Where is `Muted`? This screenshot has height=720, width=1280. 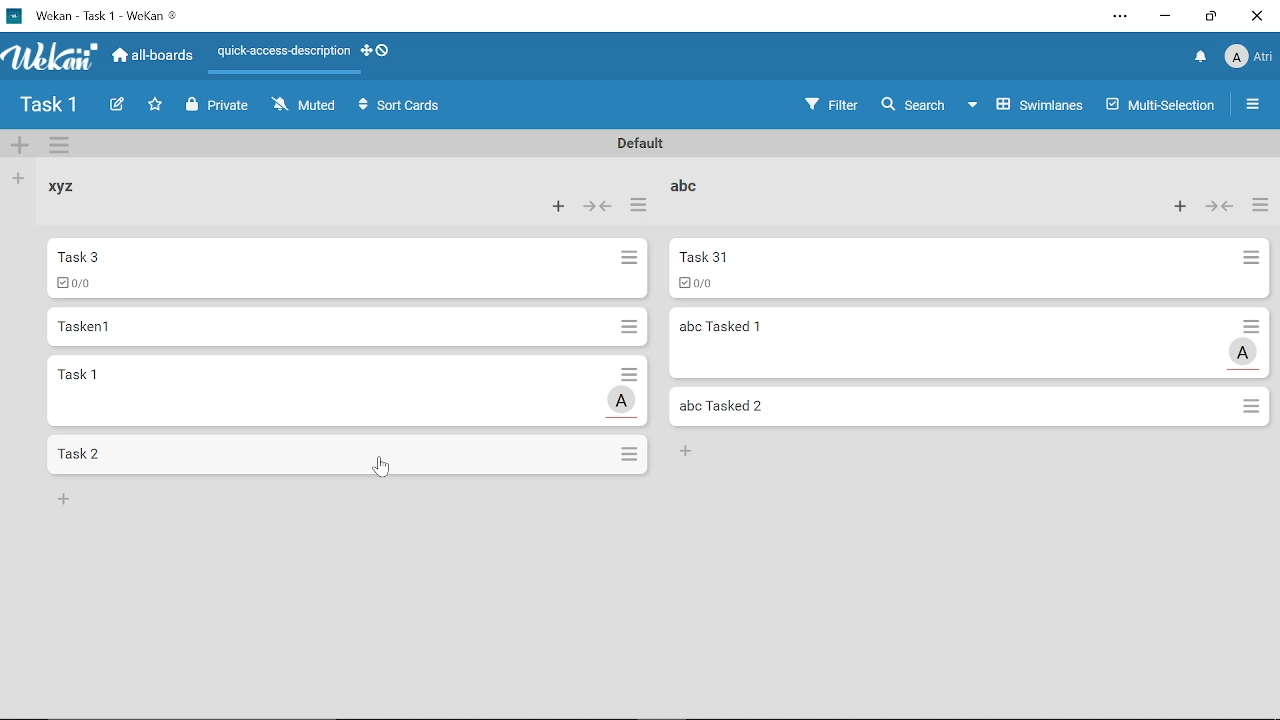 Muted is located at coordinates (305, 104).